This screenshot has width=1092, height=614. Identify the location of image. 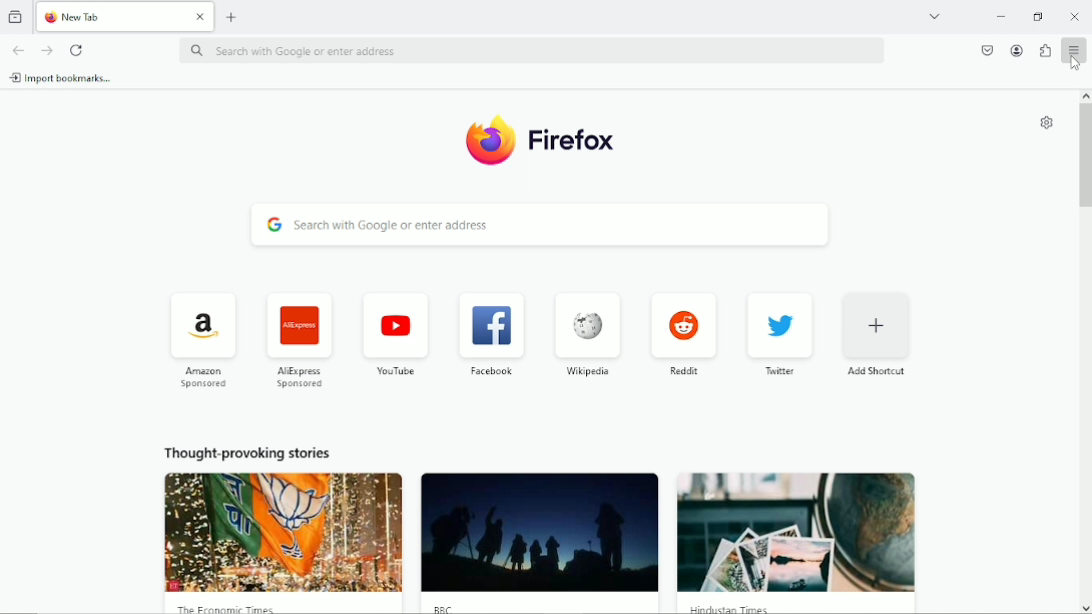
(797, 532).